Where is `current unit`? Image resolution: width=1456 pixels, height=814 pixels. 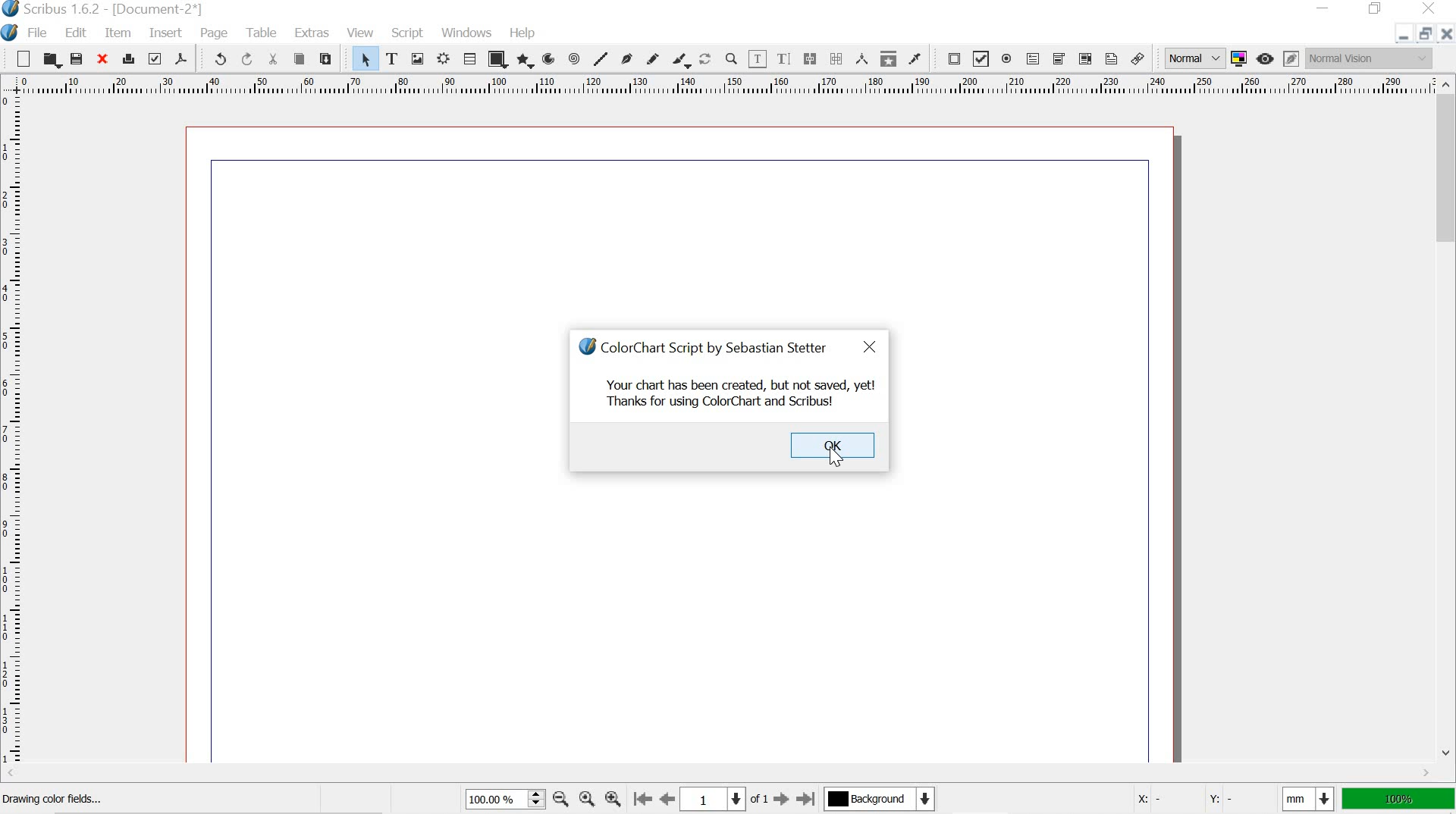 current unit is located at coordinates (1305, 799).